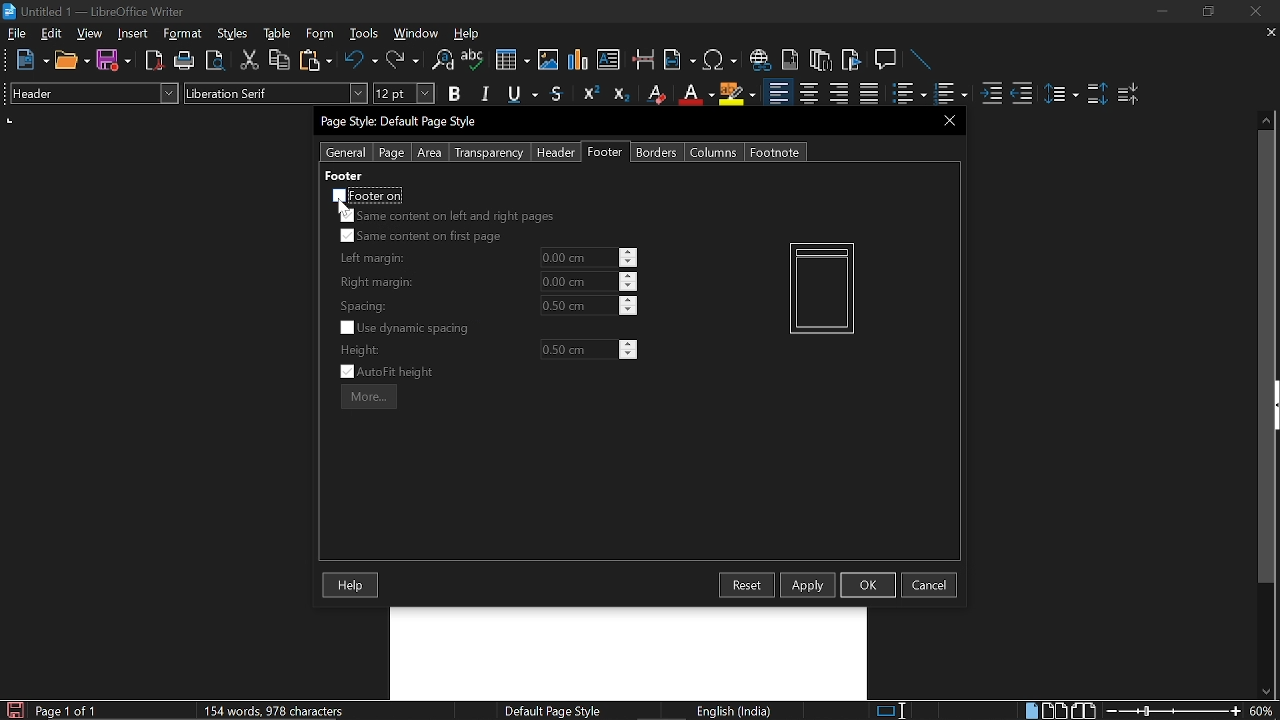  I want to click on Paste, so click(314, 59).